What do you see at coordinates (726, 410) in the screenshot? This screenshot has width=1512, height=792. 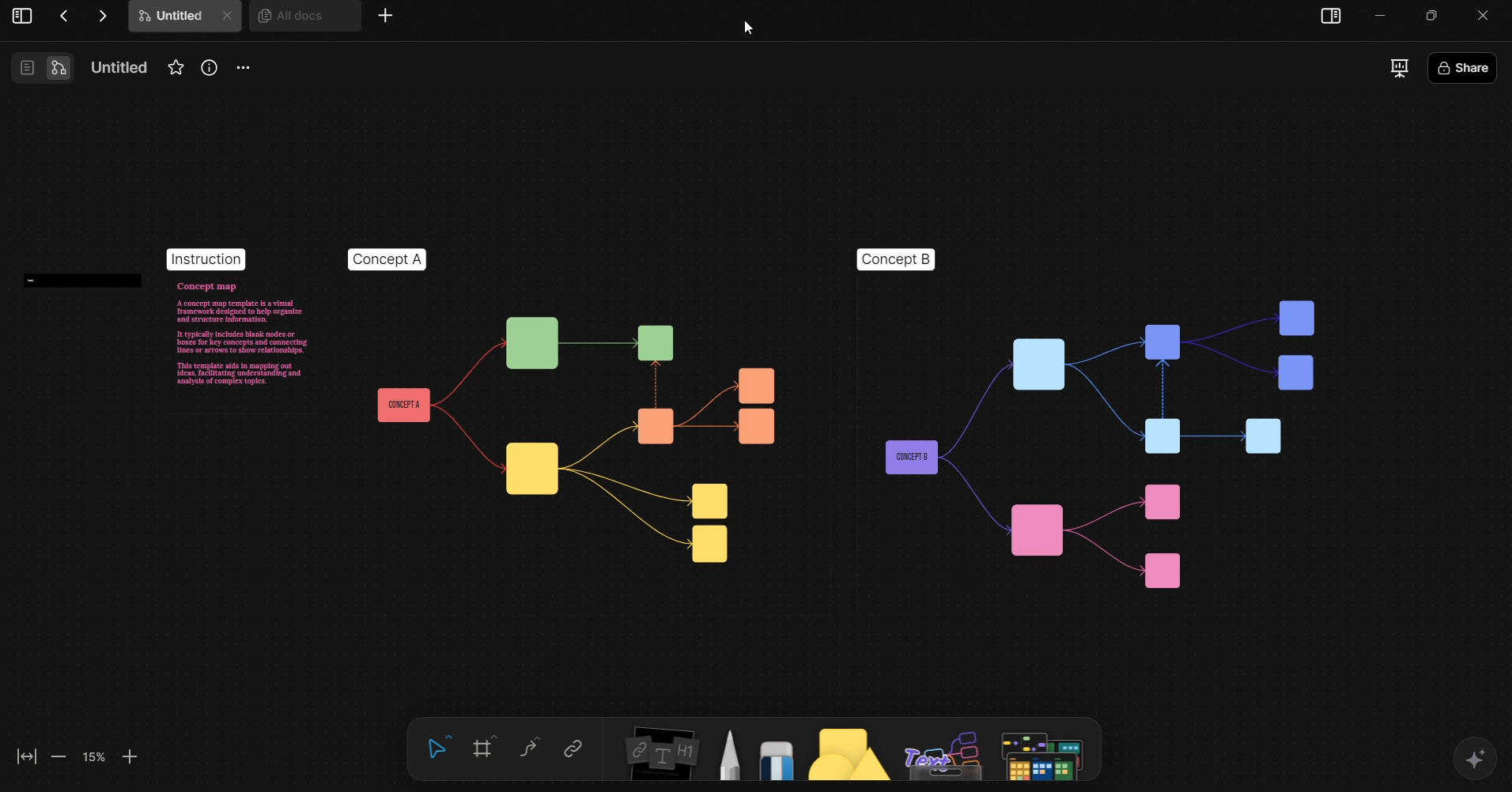 I see `mind map inserted` at bounding box center [726, 410].